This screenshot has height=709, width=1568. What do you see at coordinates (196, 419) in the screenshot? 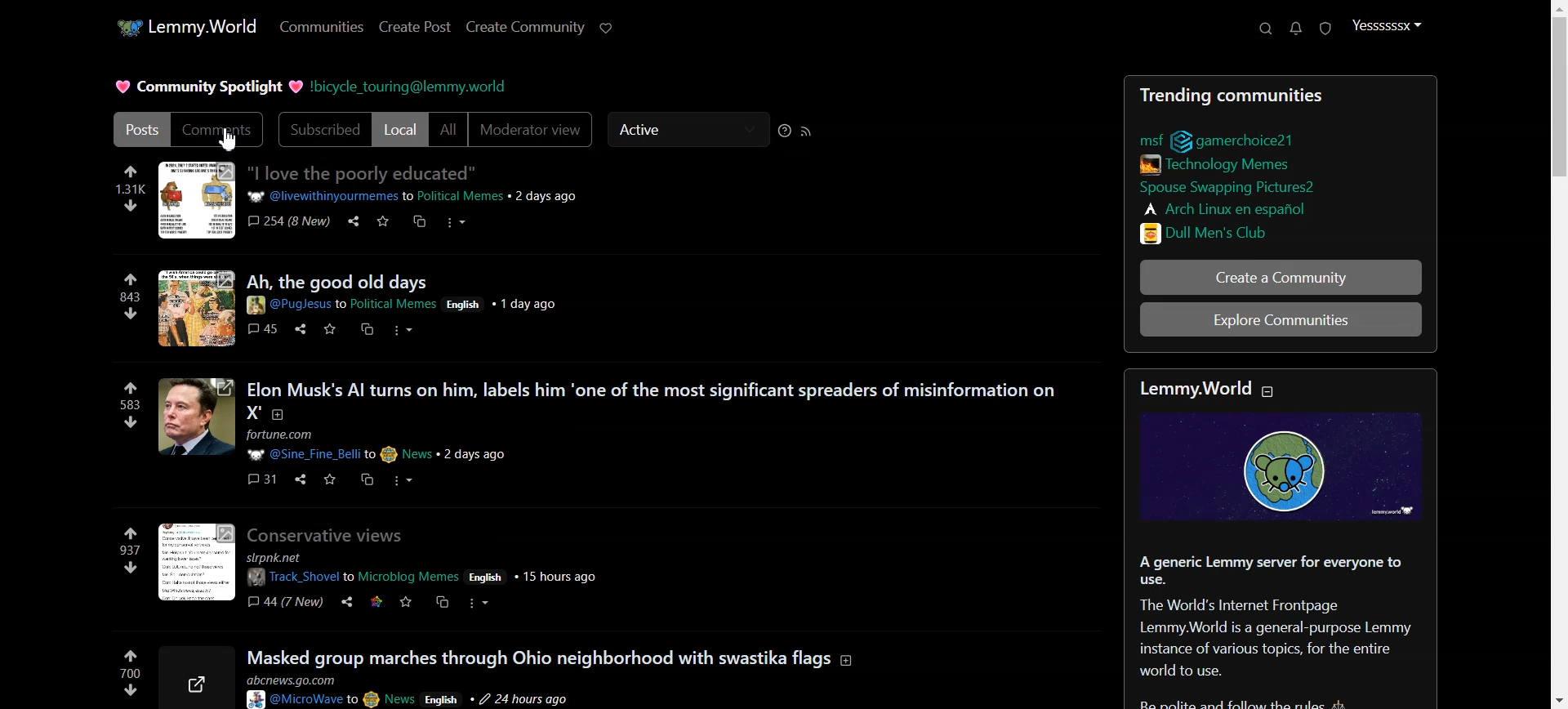
I see `image` at bounding box center [196, 419].